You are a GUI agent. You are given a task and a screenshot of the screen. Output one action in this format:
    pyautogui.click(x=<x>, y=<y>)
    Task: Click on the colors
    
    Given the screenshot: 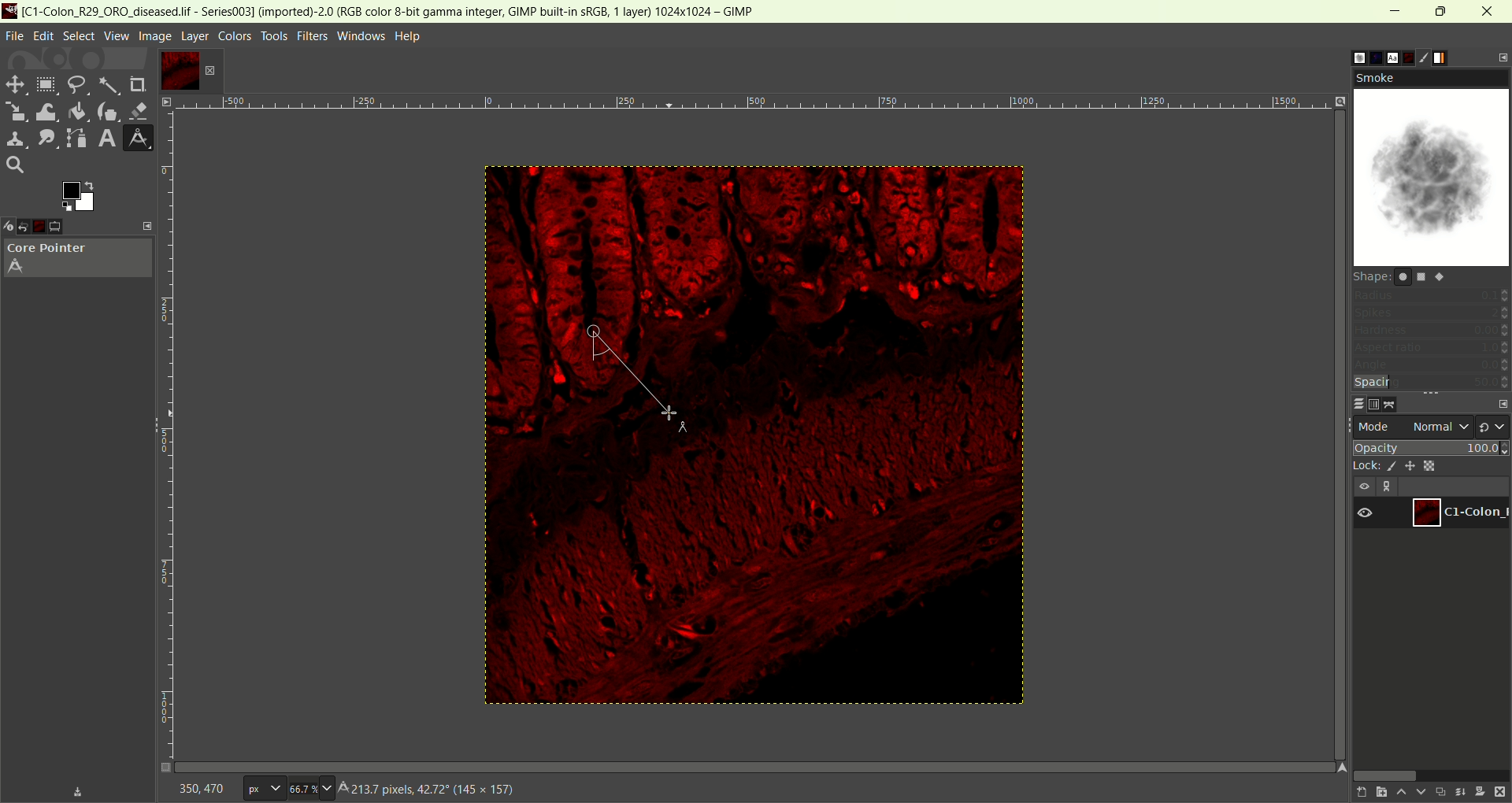 What is the action you would take?
    pyautogui.click(x=235, y=36)
    